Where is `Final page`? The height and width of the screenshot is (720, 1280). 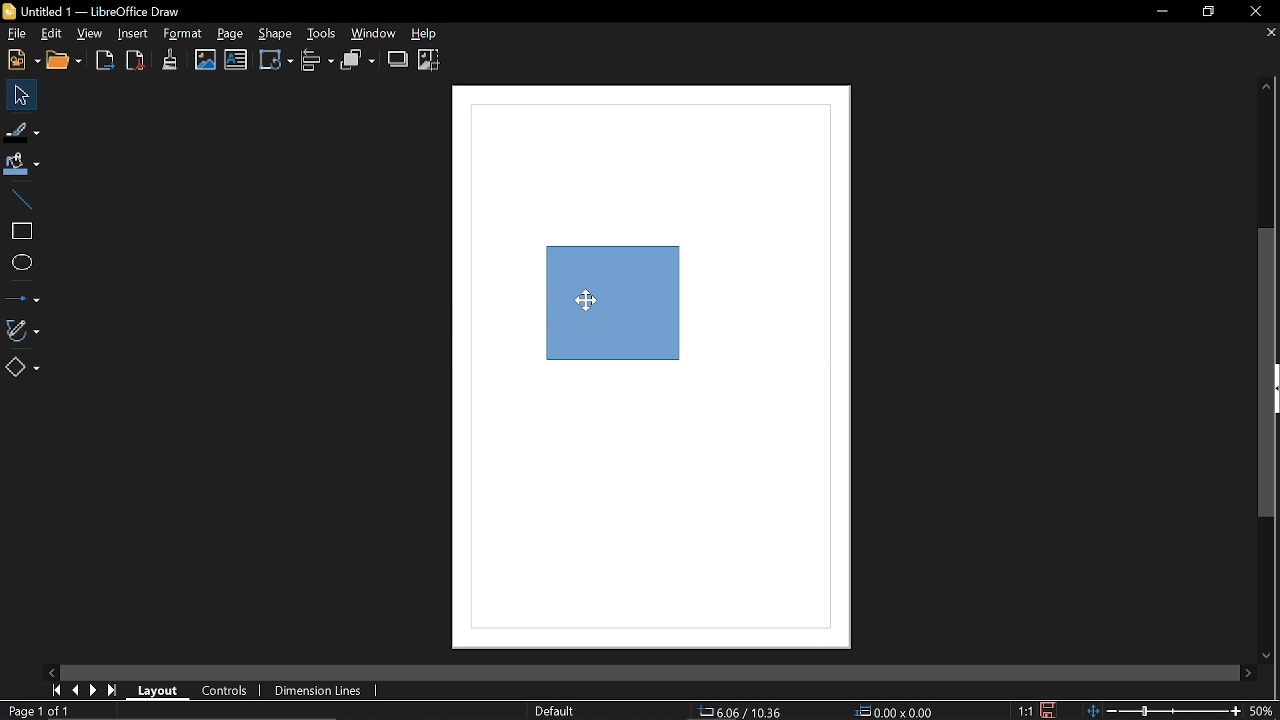
Final page is located at coordinates (114, 691).